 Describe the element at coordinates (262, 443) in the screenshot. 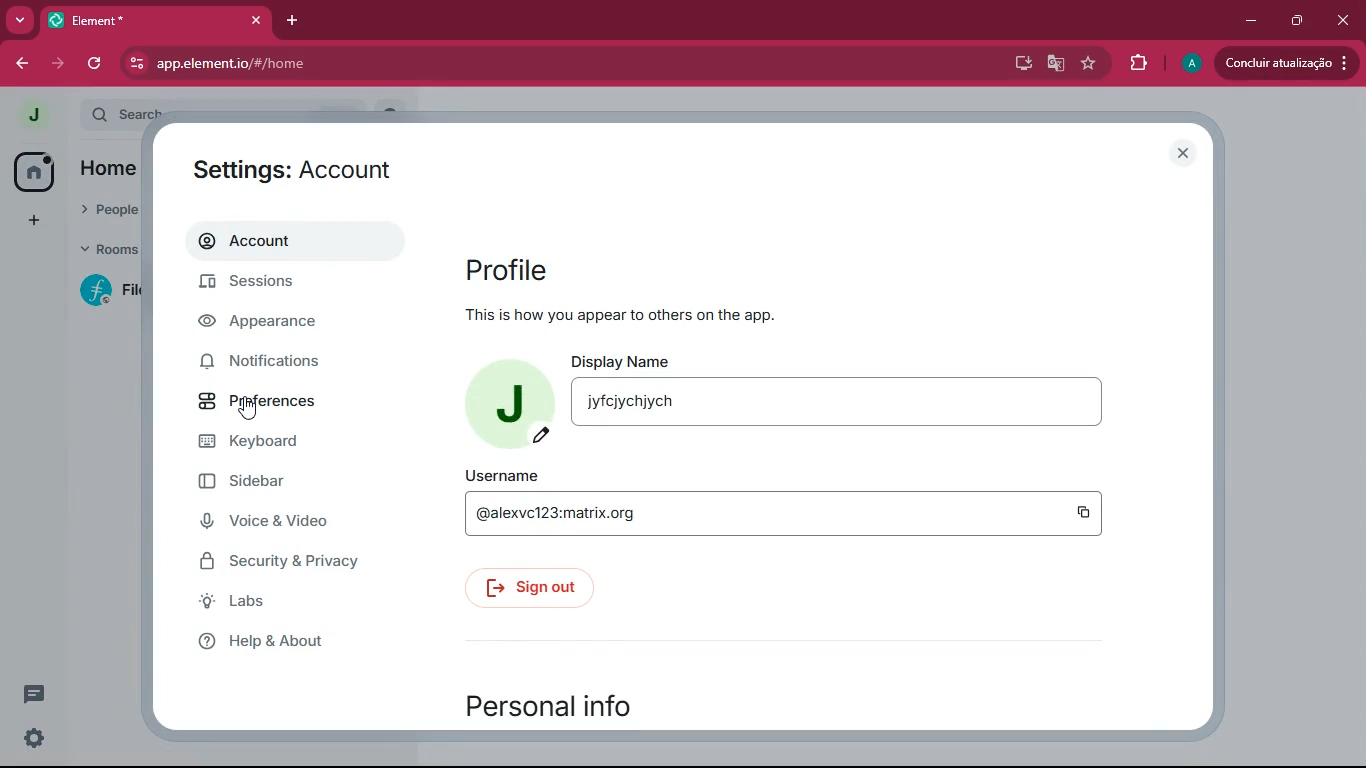

I see `keyboard` at that location.